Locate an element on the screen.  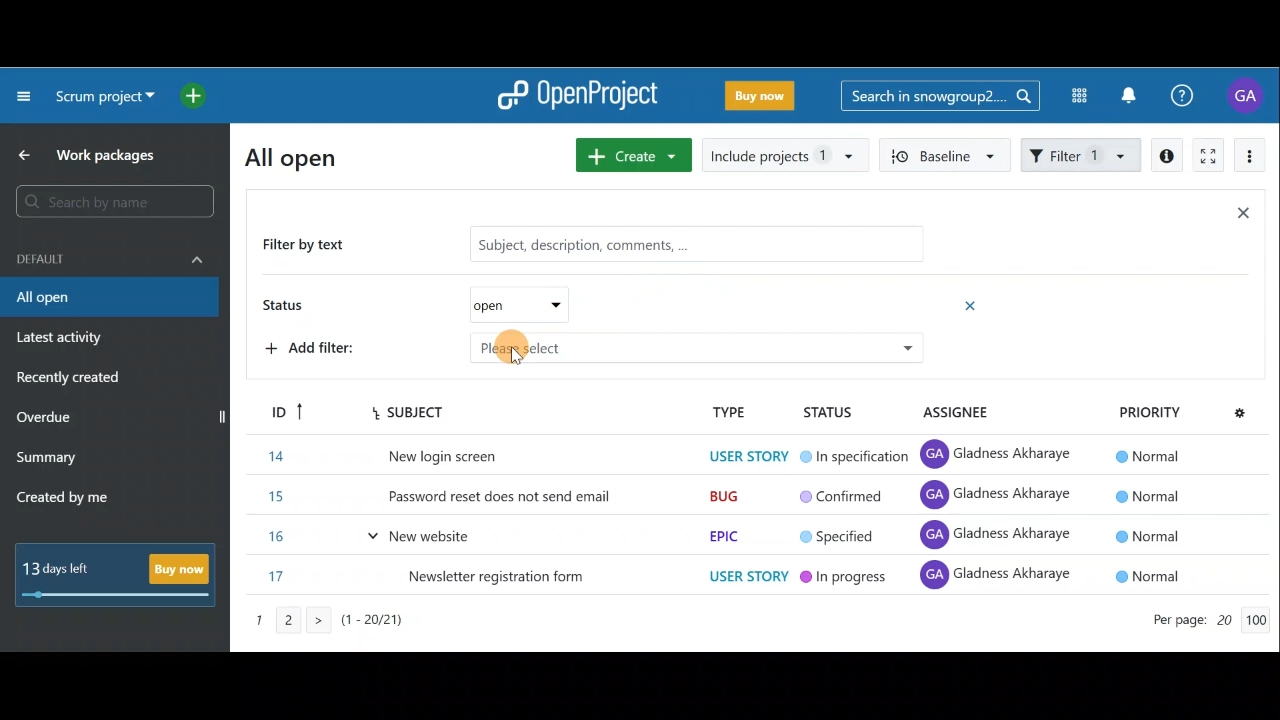
Page number is located at coordinates (360, 626).